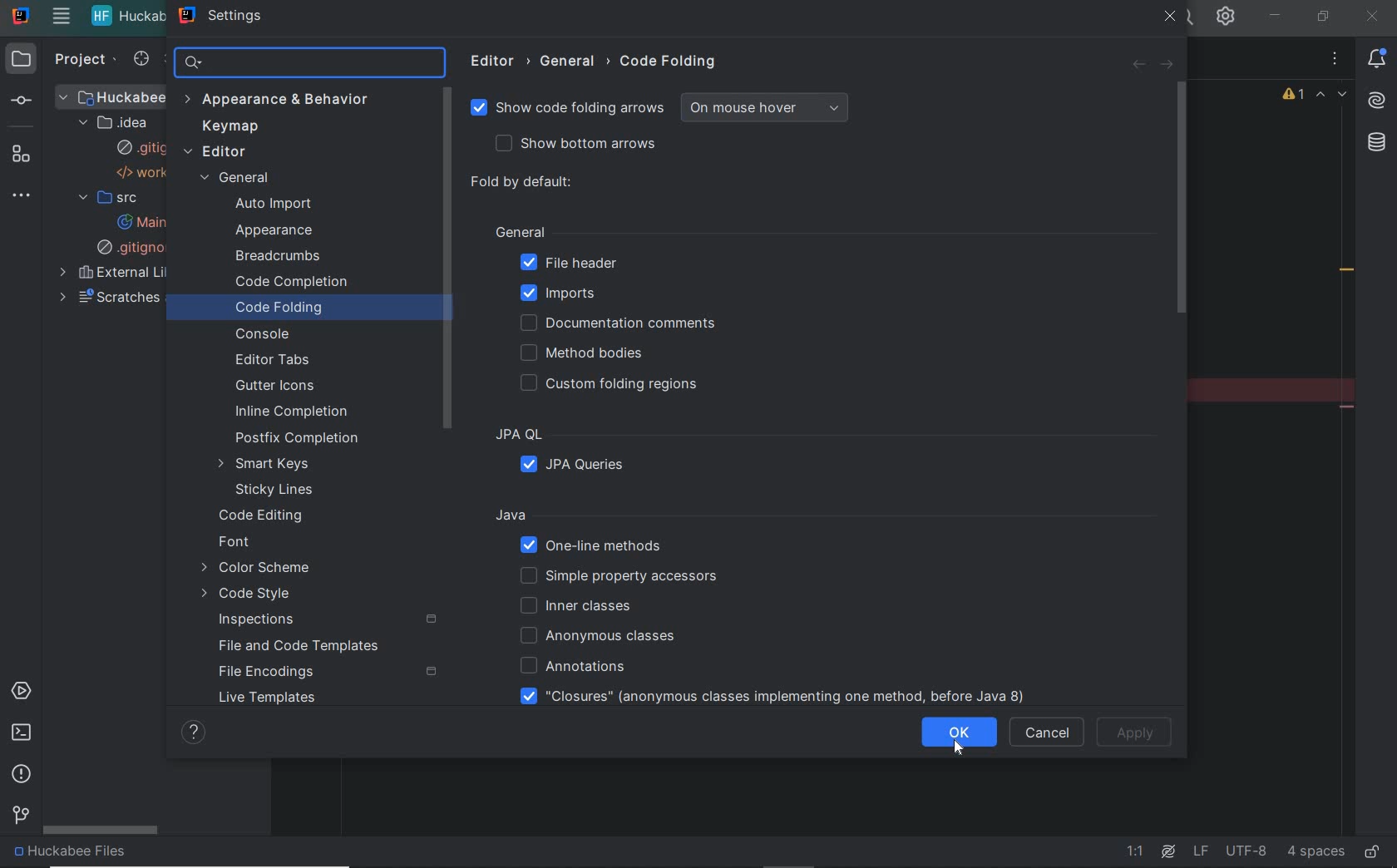 Image resolution: width=1397 pixels, height=868 pixels. I want to click on structure, so click(27, 154).